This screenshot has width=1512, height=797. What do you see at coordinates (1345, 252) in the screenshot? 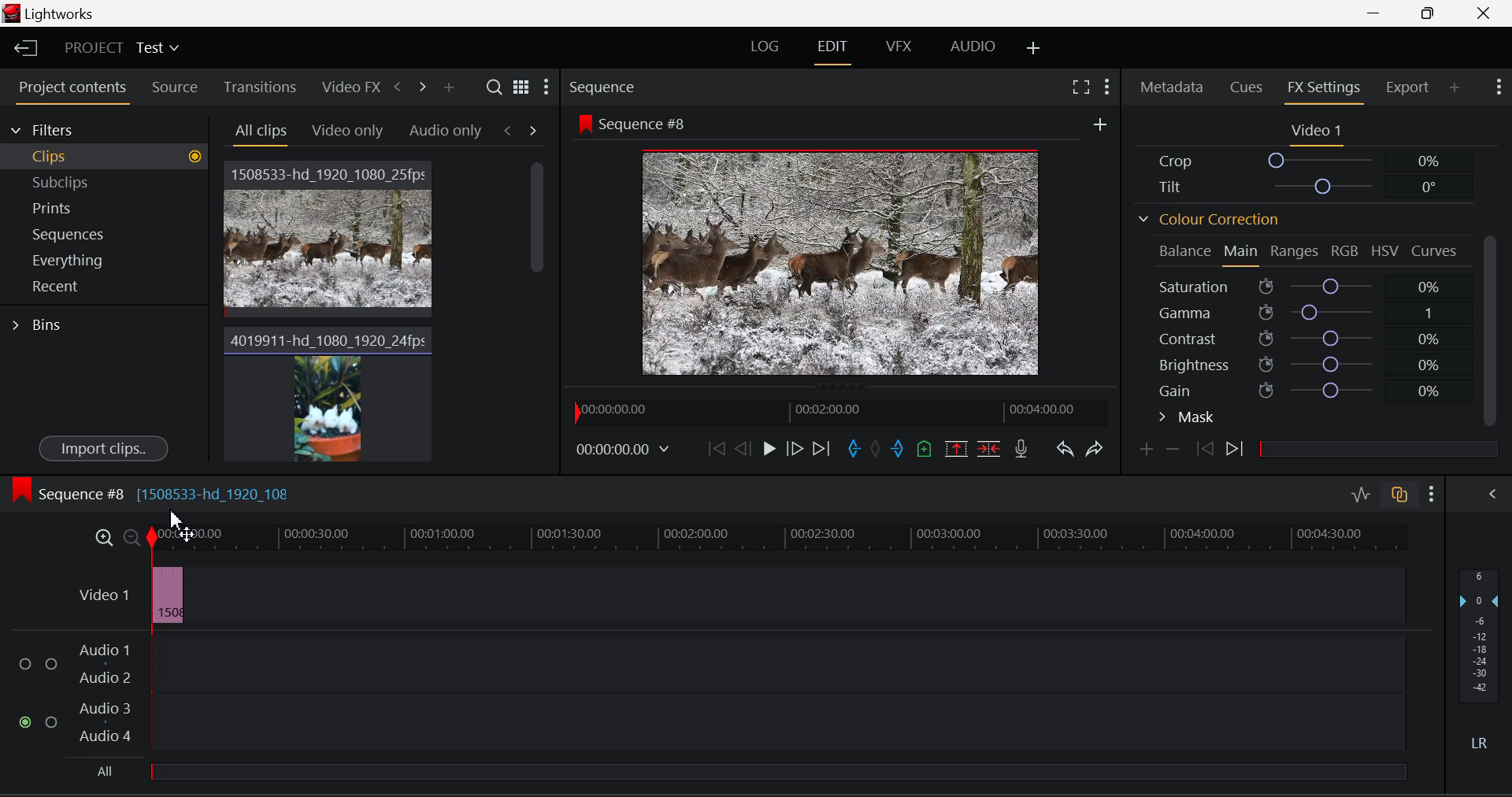
I see `RGB` at bounding box center [1345, 252].